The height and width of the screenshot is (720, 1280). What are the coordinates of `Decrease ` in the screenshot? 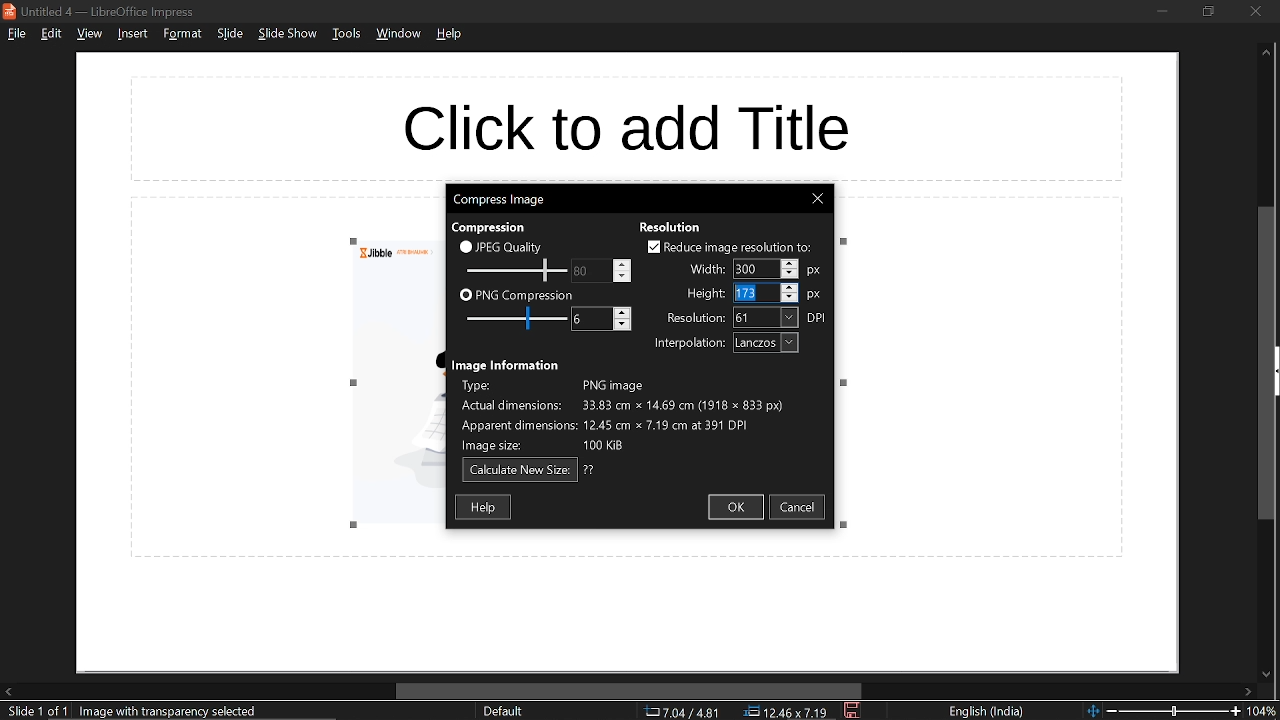 It's located at (791, 298).